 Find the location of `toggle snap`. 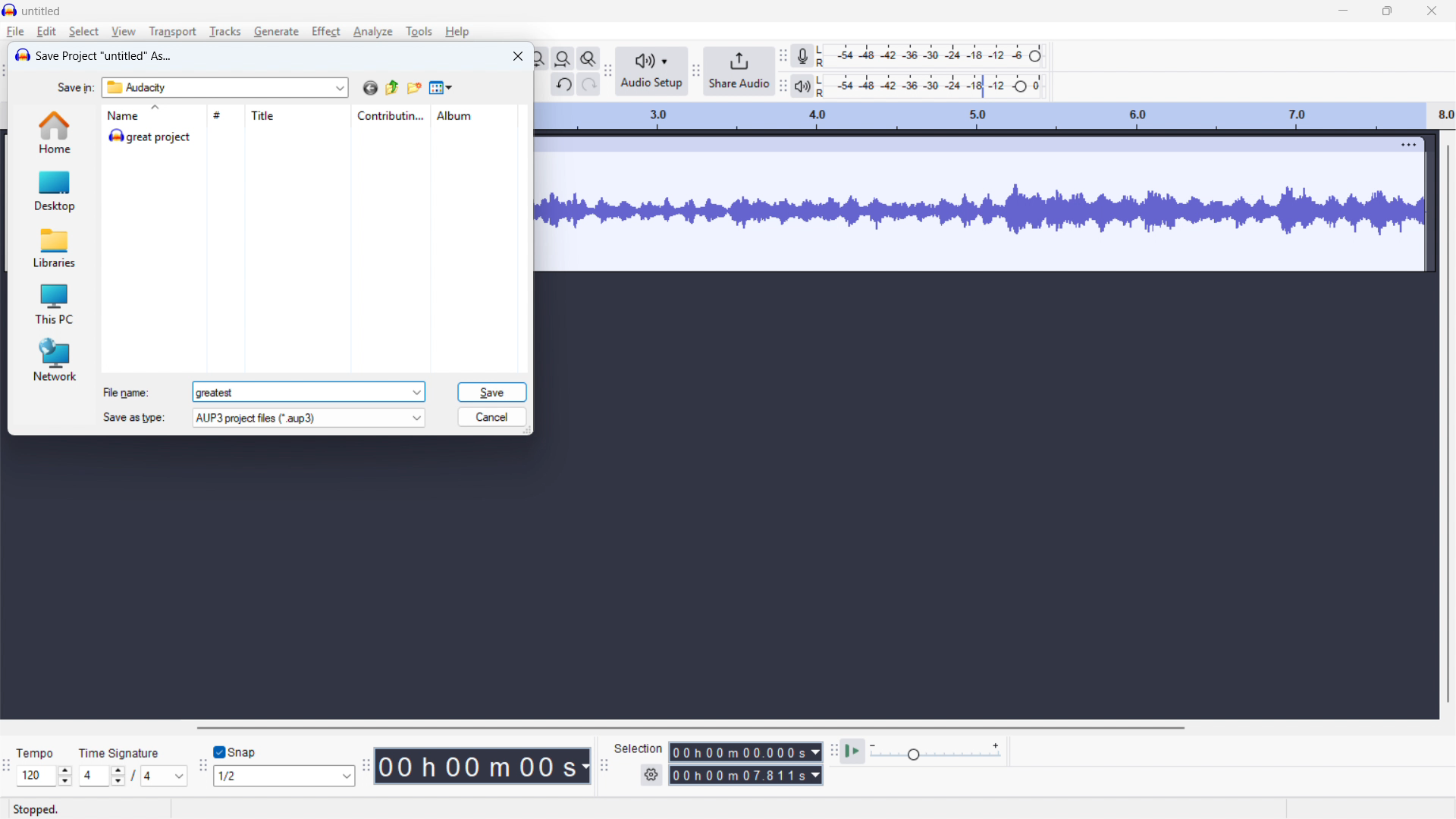

toggle snap is located at coordinates (237, 752).